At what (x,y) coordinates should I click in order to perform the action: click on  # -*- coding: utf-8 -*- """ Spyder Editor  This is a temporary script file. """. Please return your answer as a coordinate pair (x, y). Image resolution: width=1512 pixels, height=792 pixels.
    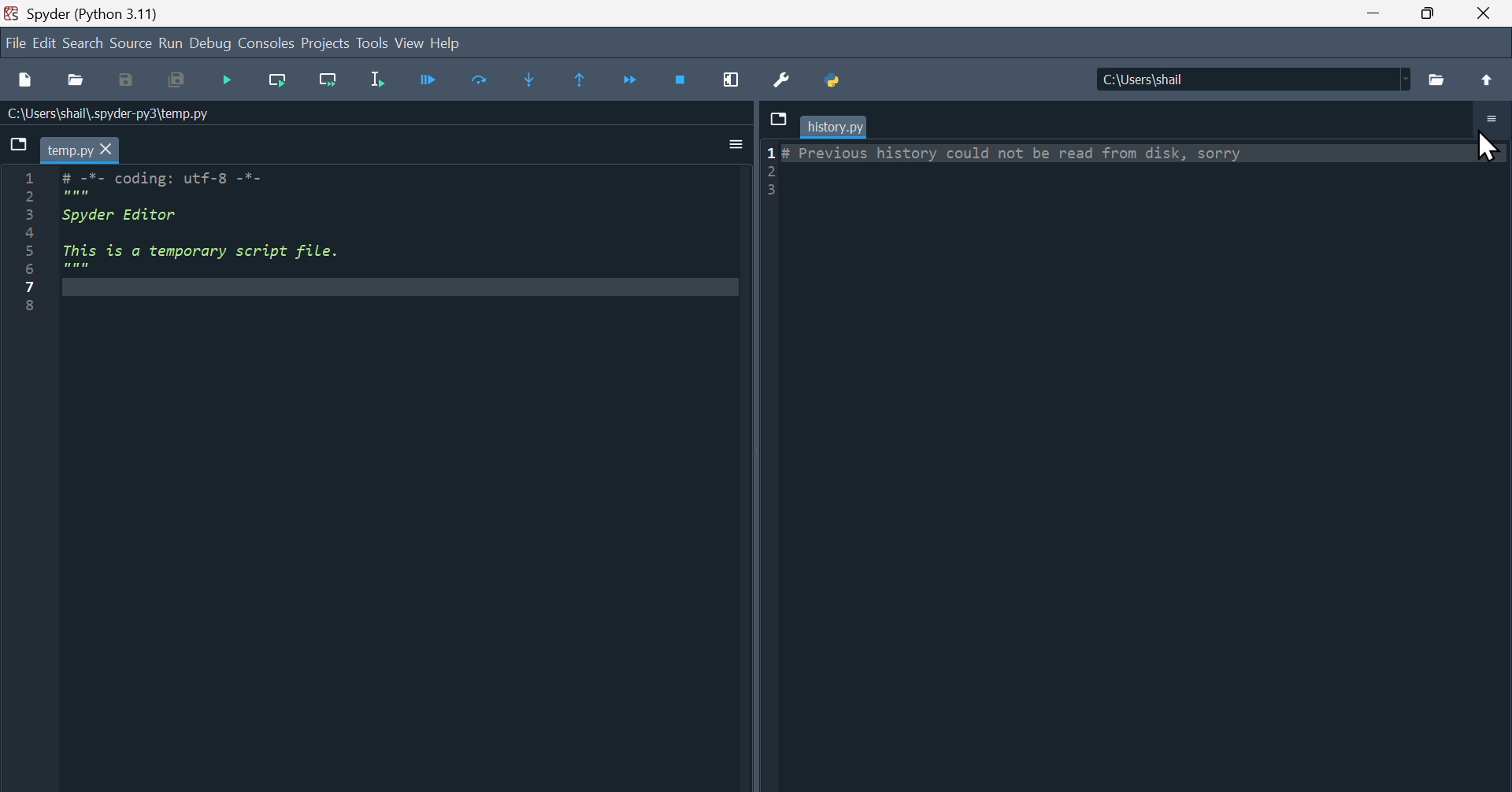
    Looking at the image, I should click on (398, 235).